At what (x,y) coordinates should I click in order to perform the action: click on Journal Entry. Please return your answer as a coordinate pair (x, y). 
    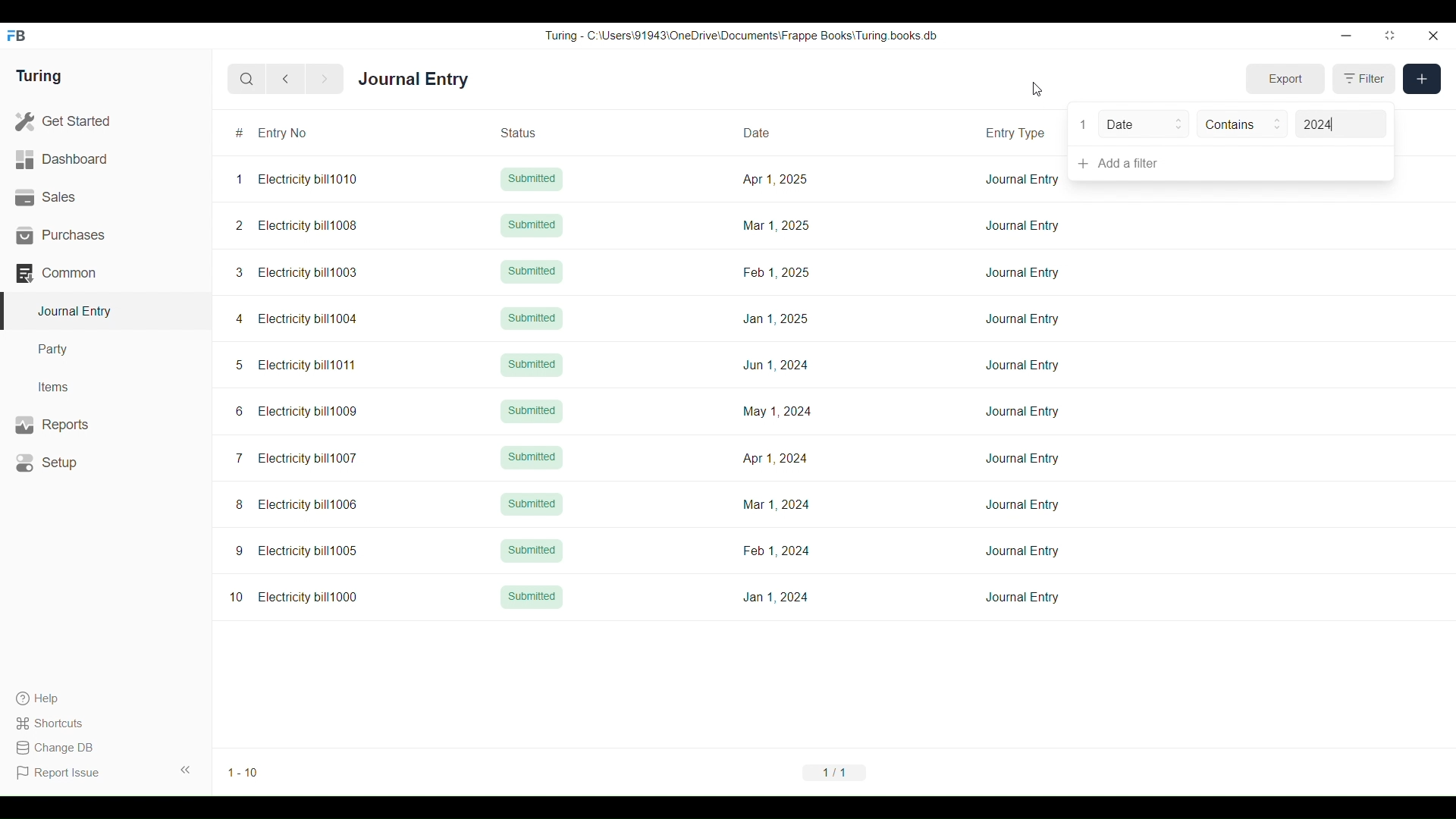
    Looking at the image, I should click on (1022, 551).